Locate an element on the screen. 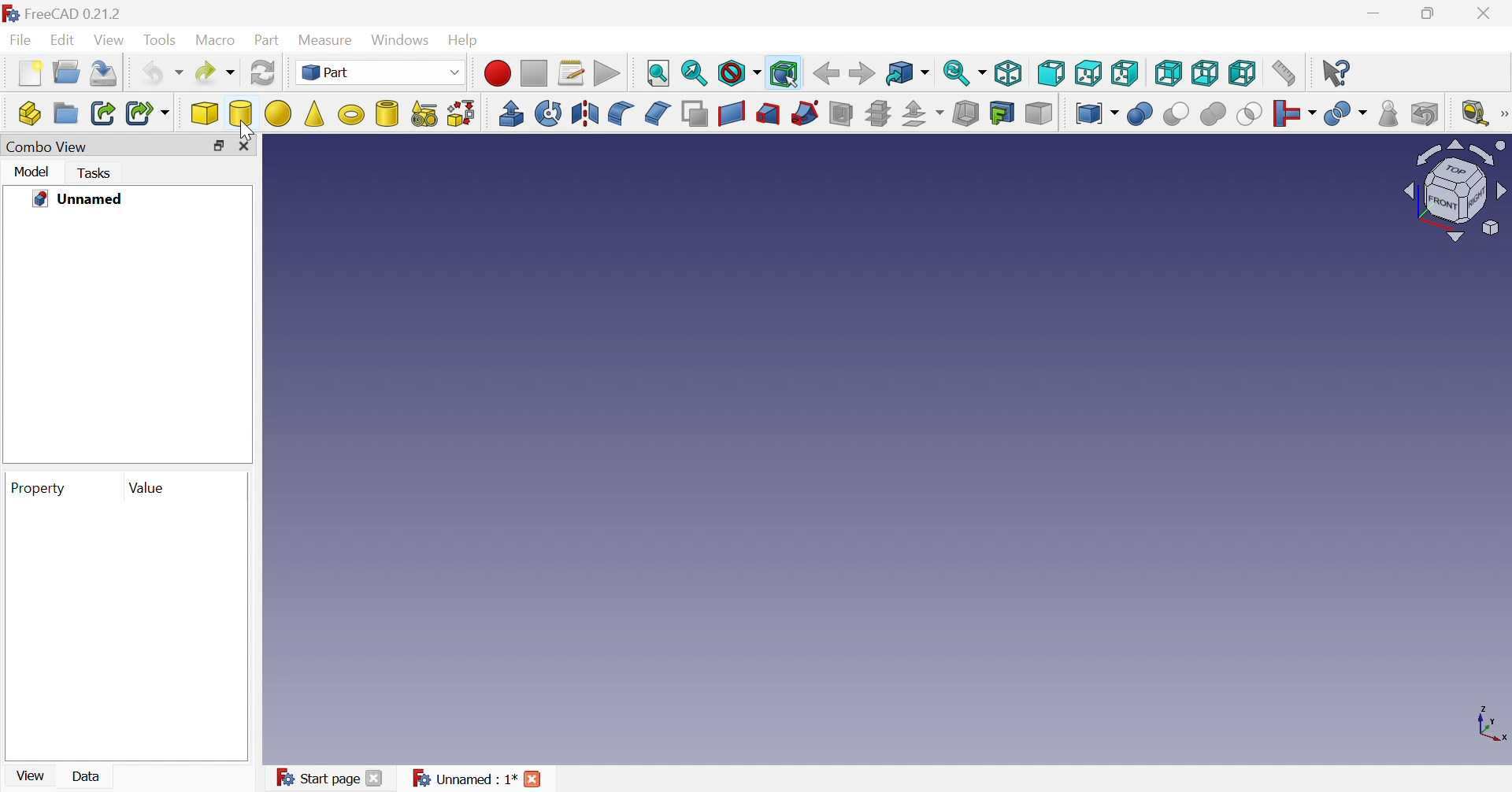 The width and height of the screenshot is (1512, 792). Sweep is located at coordinates (803, 114).